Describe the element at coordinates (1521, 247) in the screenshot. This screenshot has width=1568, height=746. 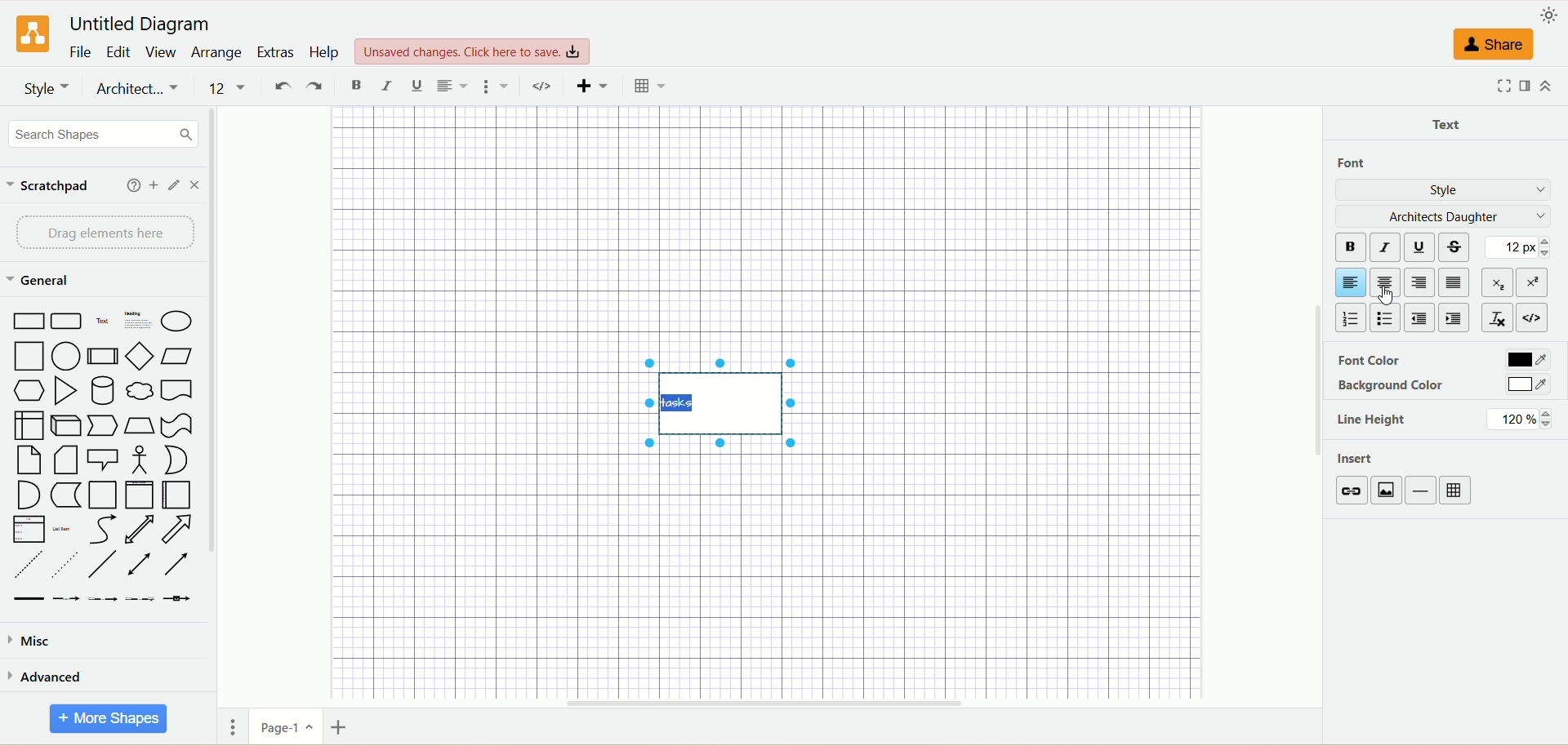
I see `12 pt` at that location.